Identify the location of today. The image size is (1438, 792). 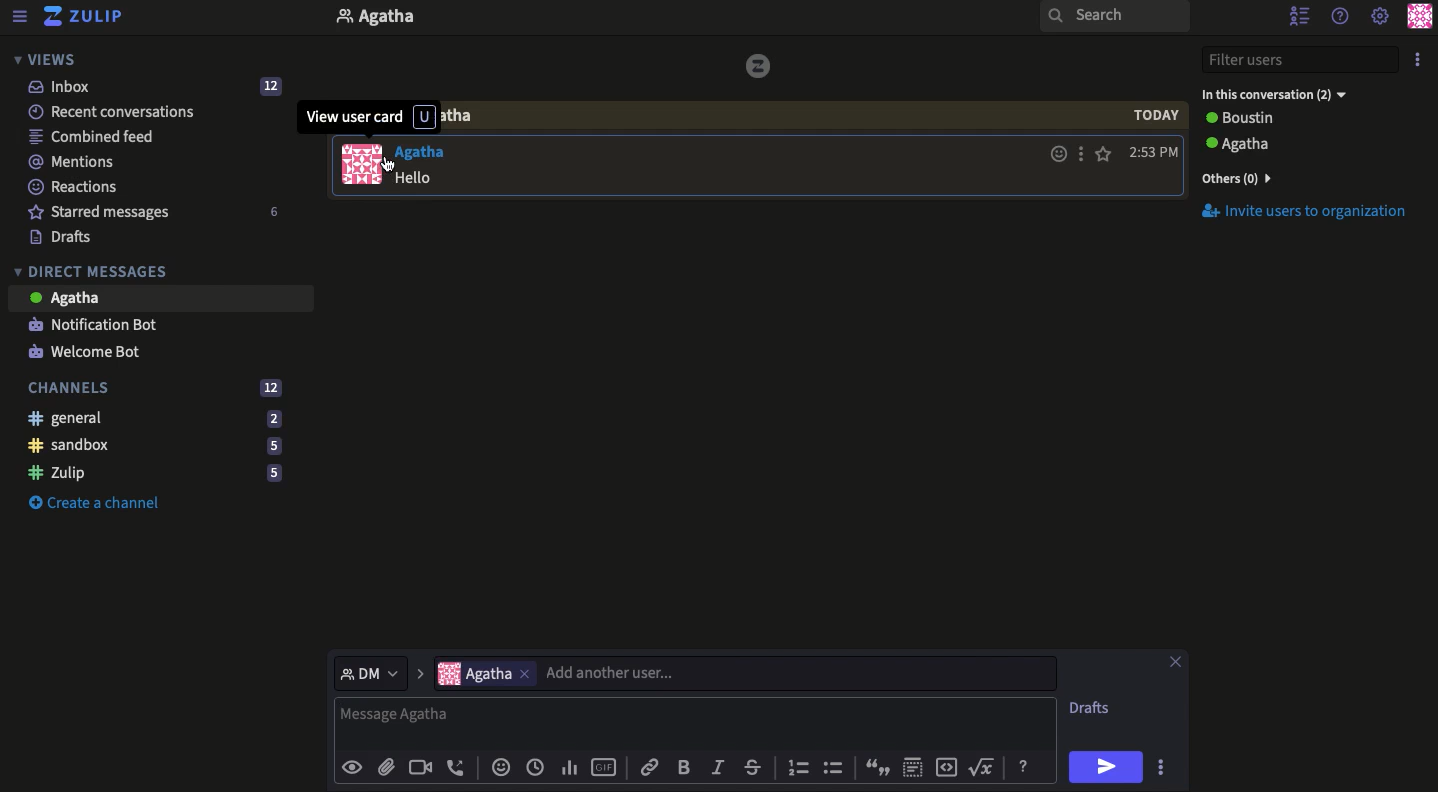
(1155, 116).